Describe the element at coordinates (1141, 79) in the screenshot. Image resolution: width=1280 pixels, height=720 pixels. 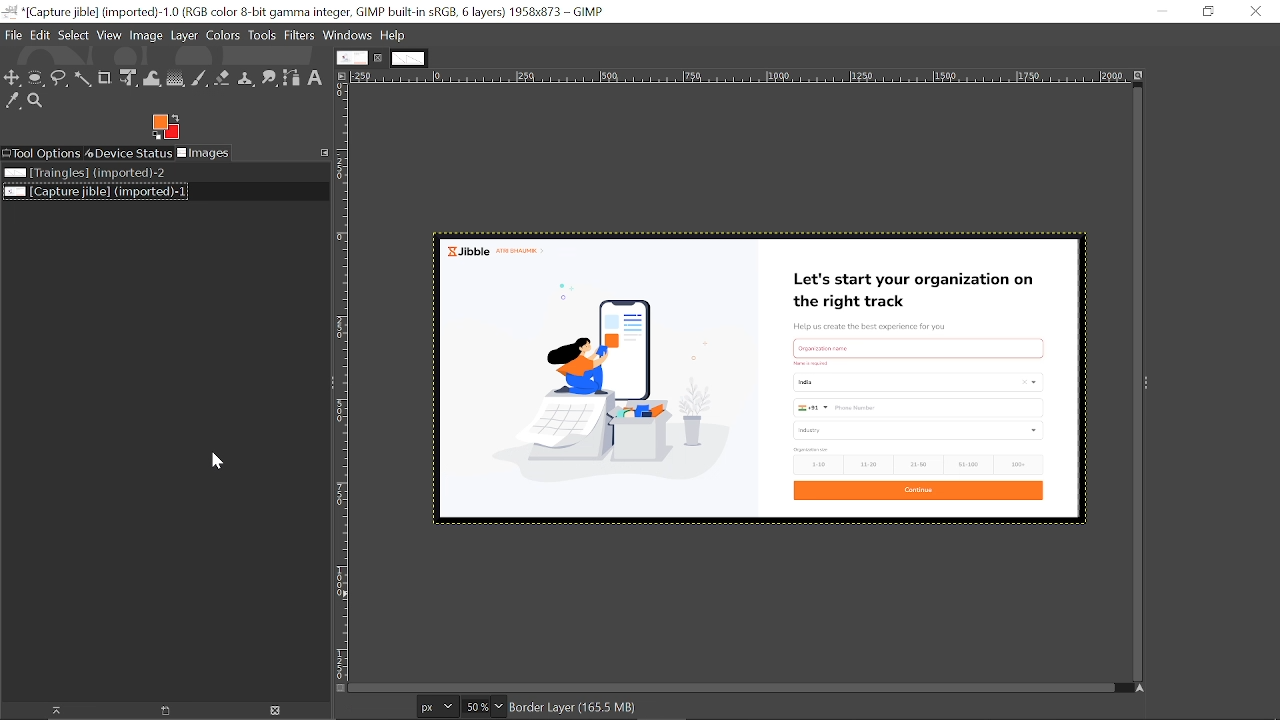
I see `Zoom image when window size changes` at that location.